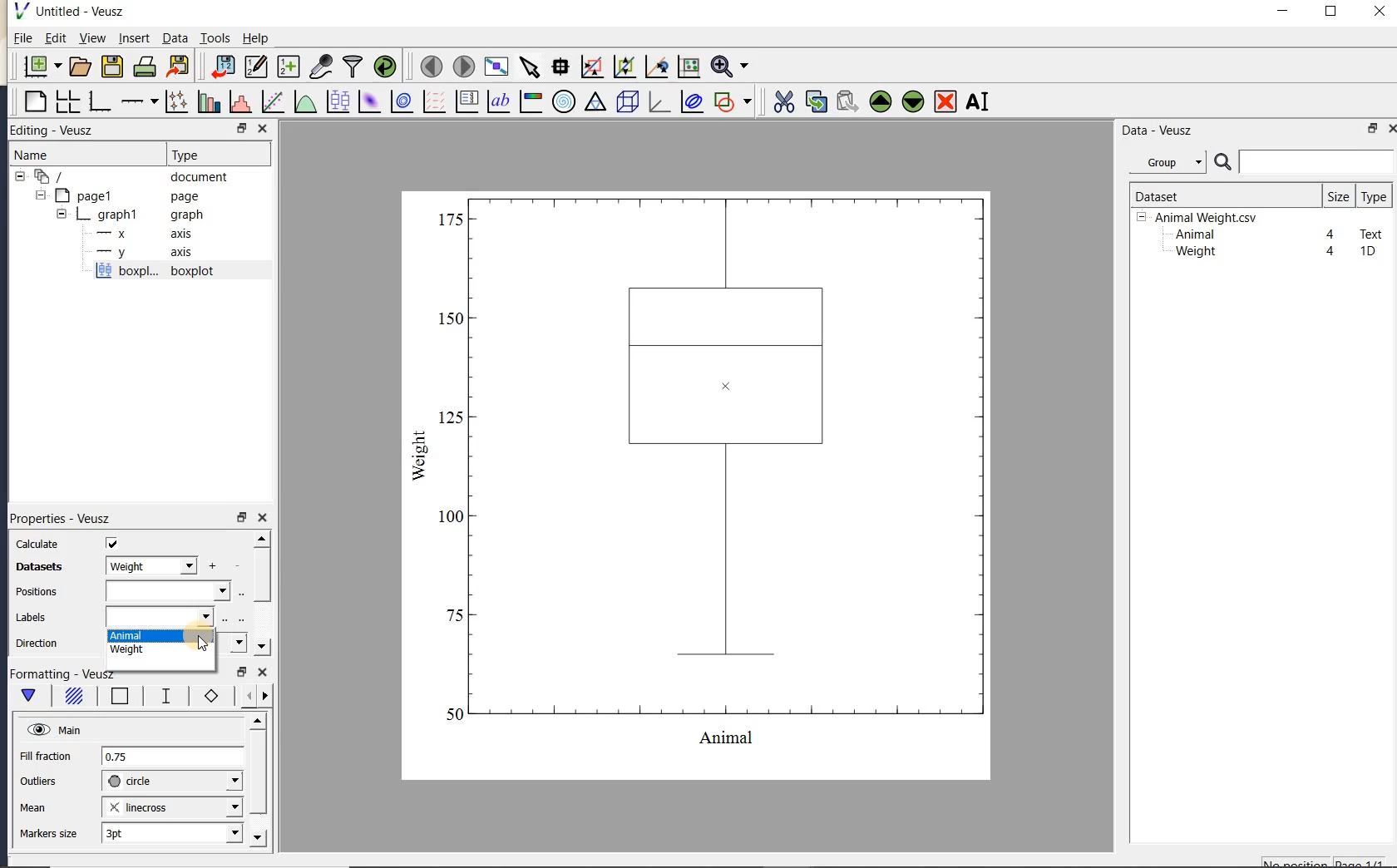 The image size is (1397, 868). Describe the element at coordinates (881, 102) in the screenshot. I see `move the selected widget up` at that location.